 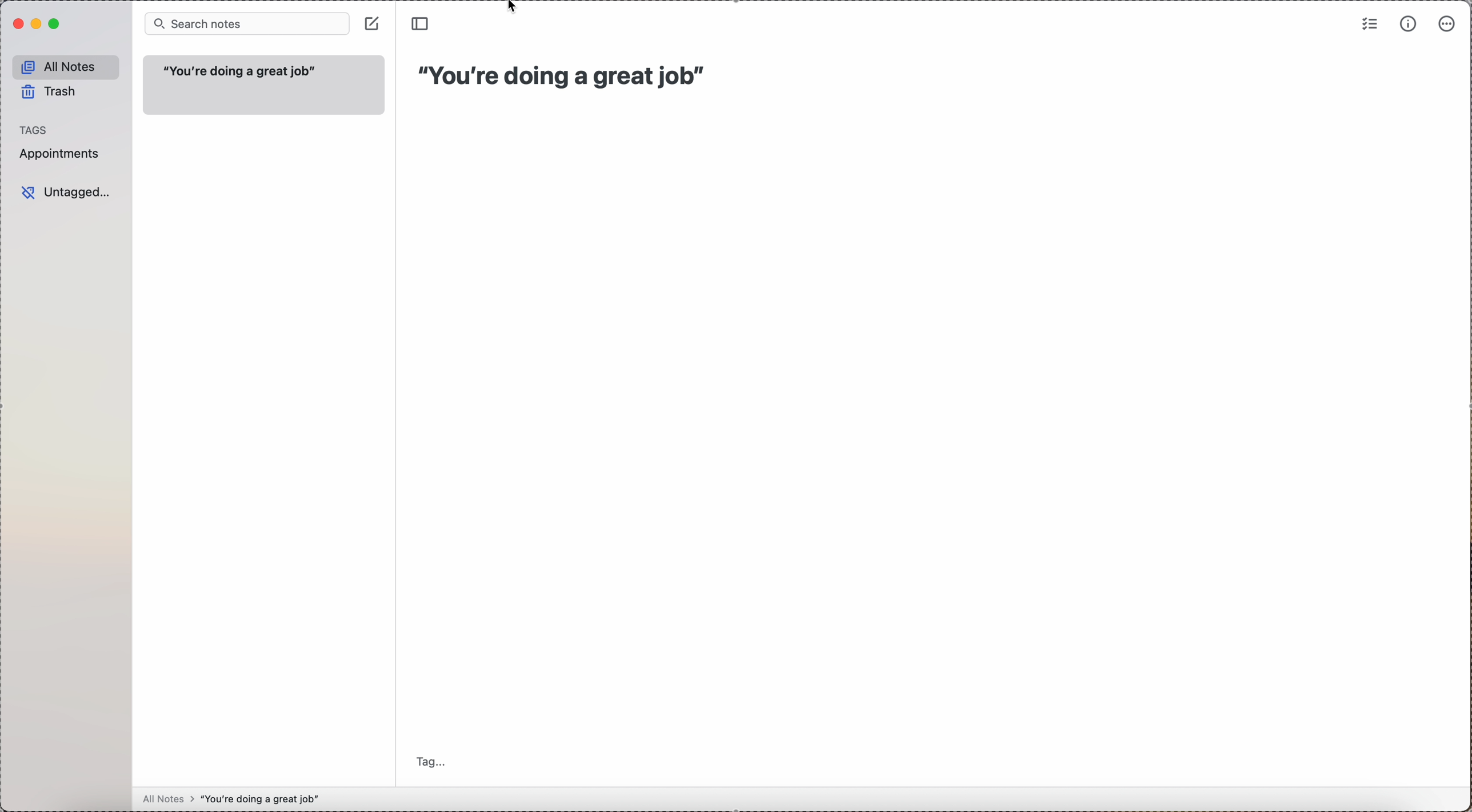 I want to click on create note, so click(x=373, y=23).